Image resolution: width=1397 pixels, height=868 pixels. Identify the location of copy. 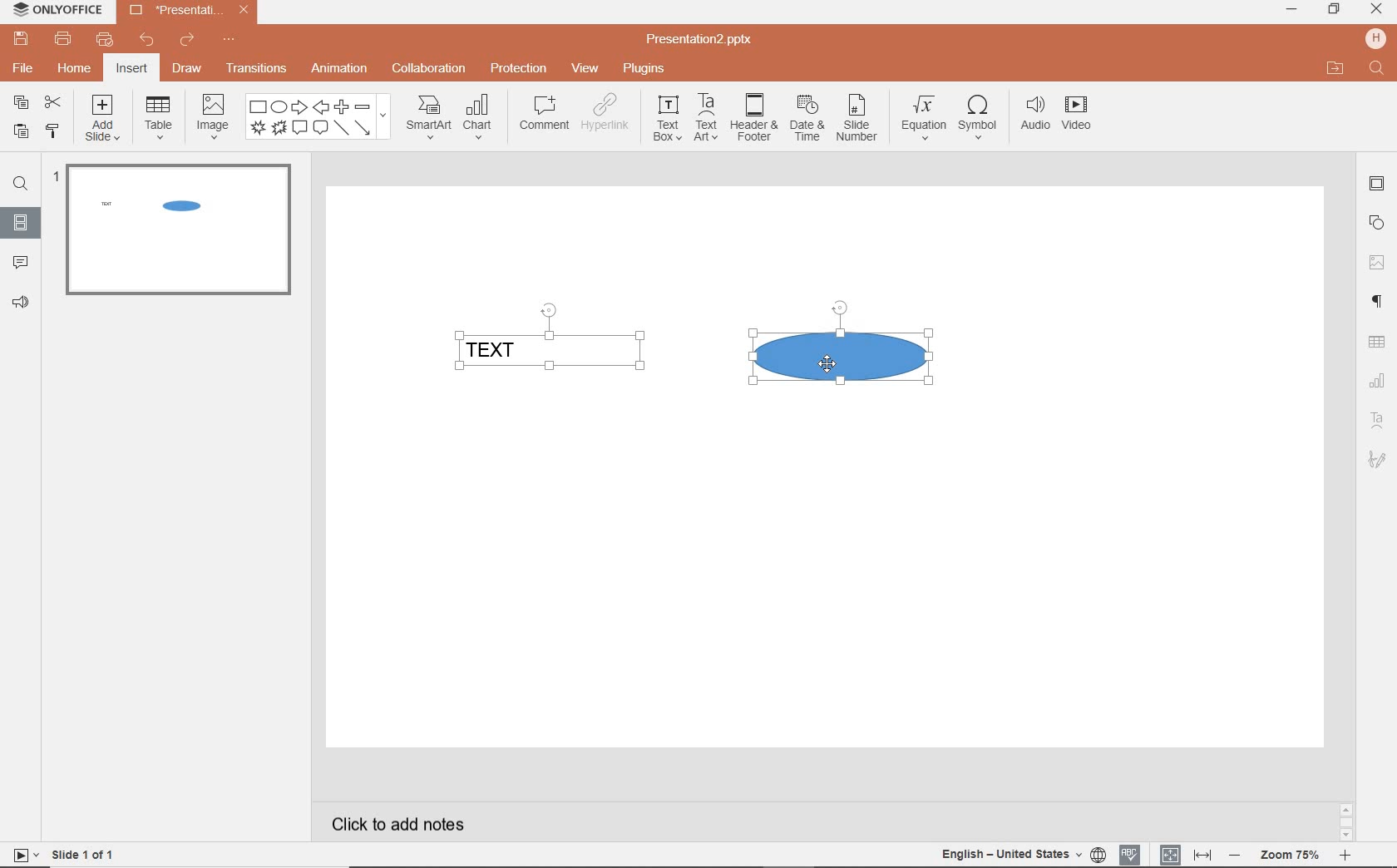
(21, 102).